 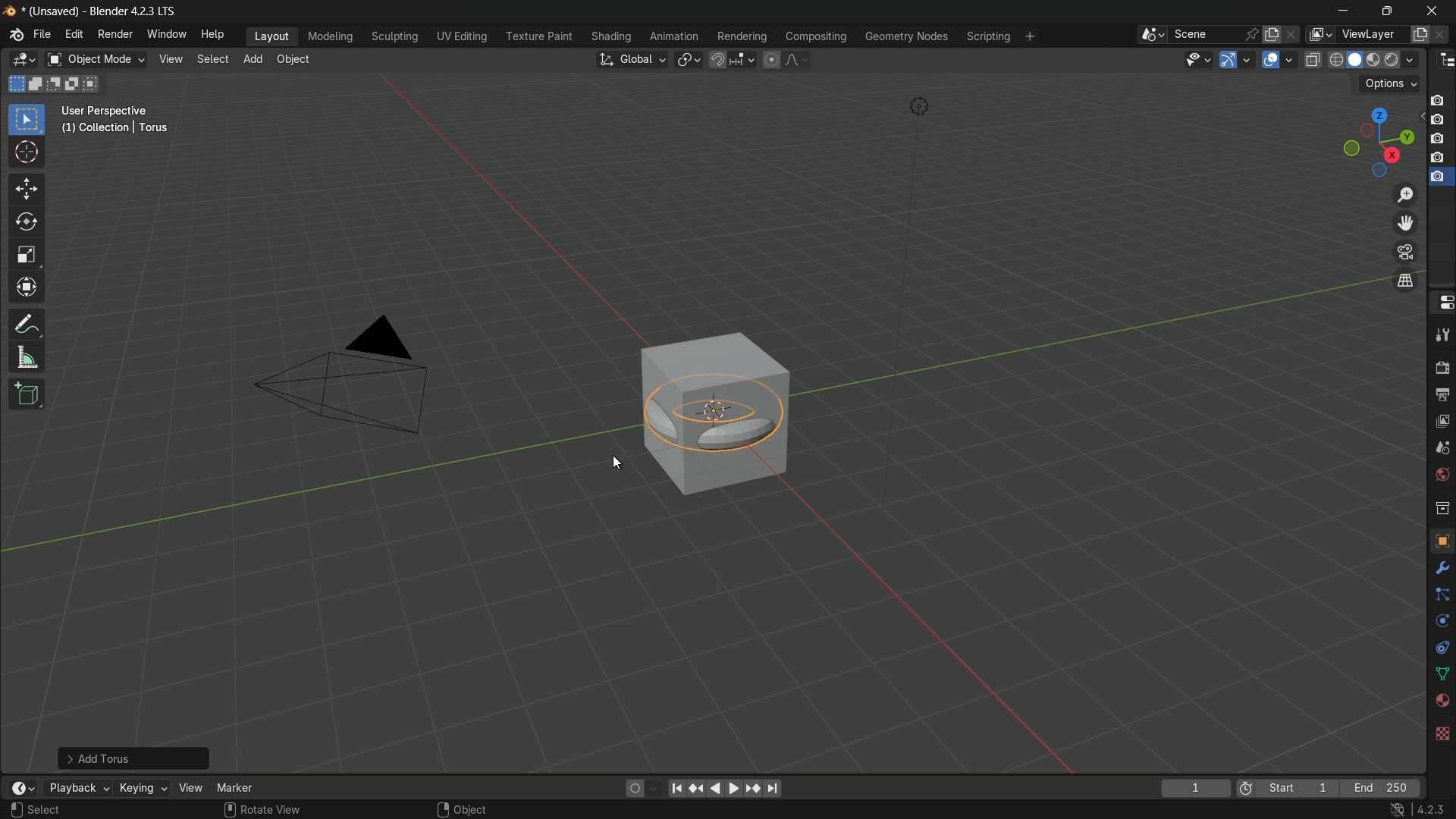 What do you see at coordinates (331, 37) in the screenshot?
I see `modeling` at bounding box center [331, 37].